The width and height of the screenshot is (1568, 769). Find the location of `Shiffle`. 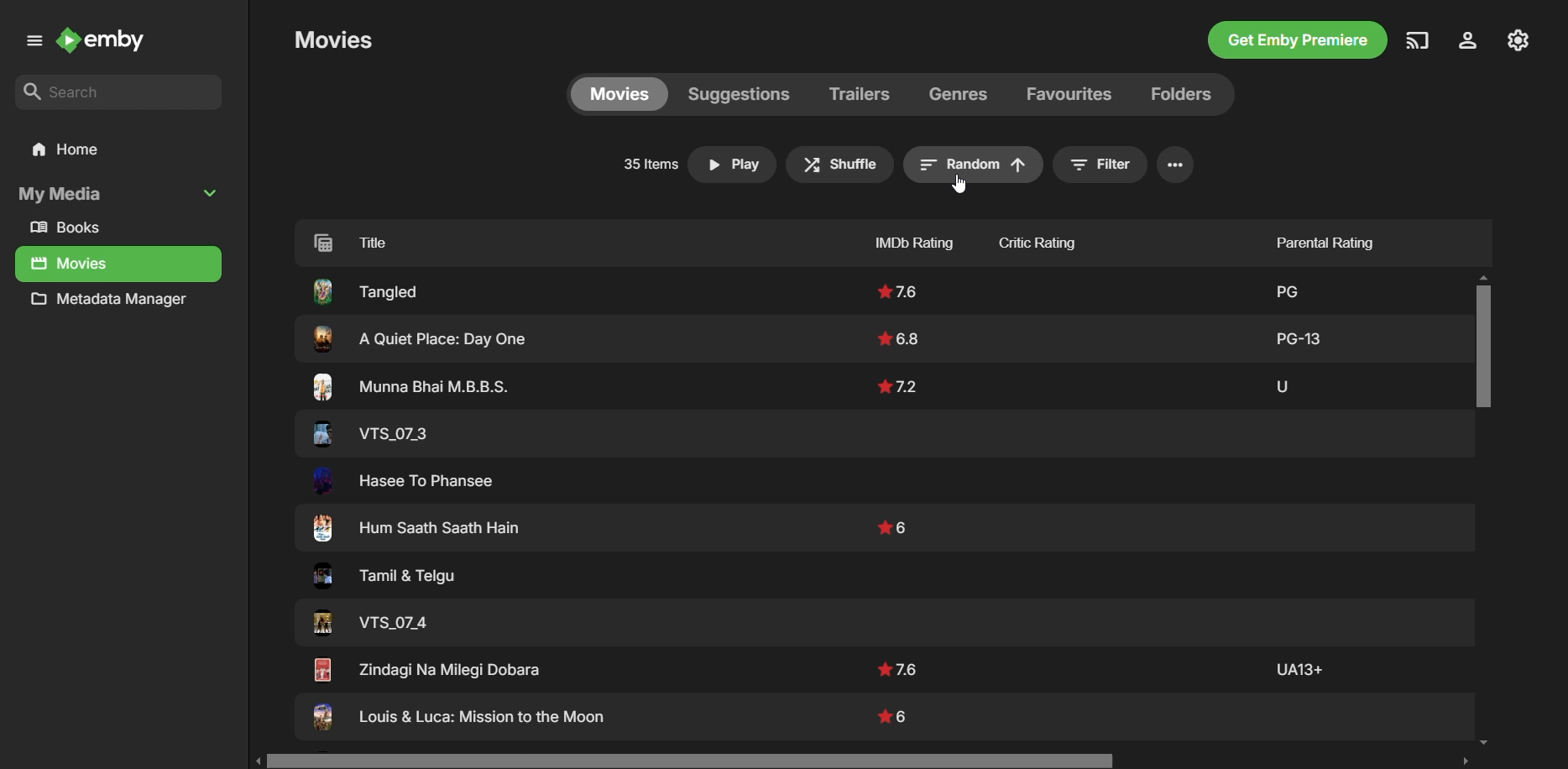

Shiffle is located at coordinates (838, 164).